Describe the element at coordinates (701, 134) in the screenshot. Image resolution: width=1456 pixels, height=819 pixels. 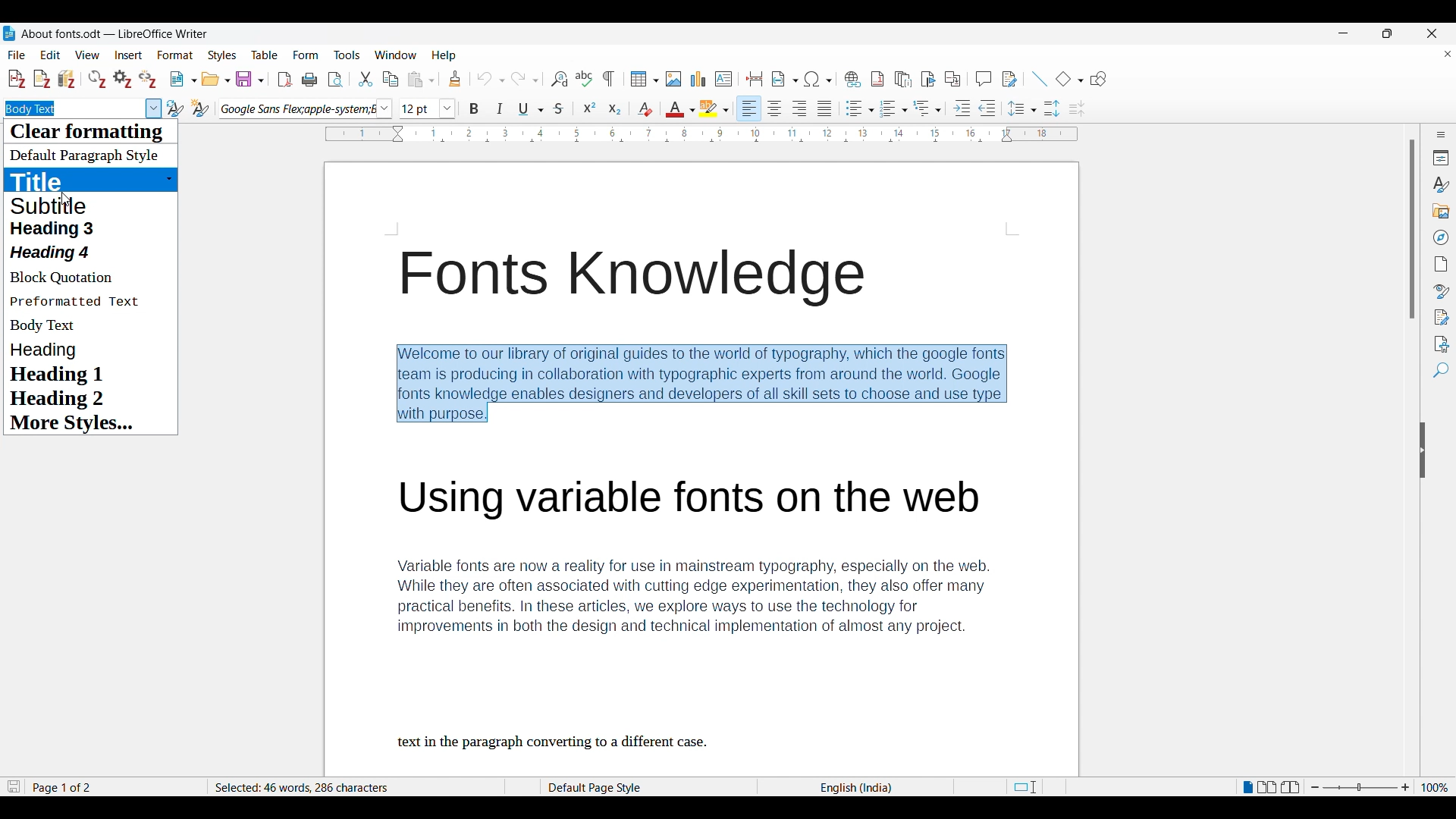
I see `Horizontal scale` at that location.